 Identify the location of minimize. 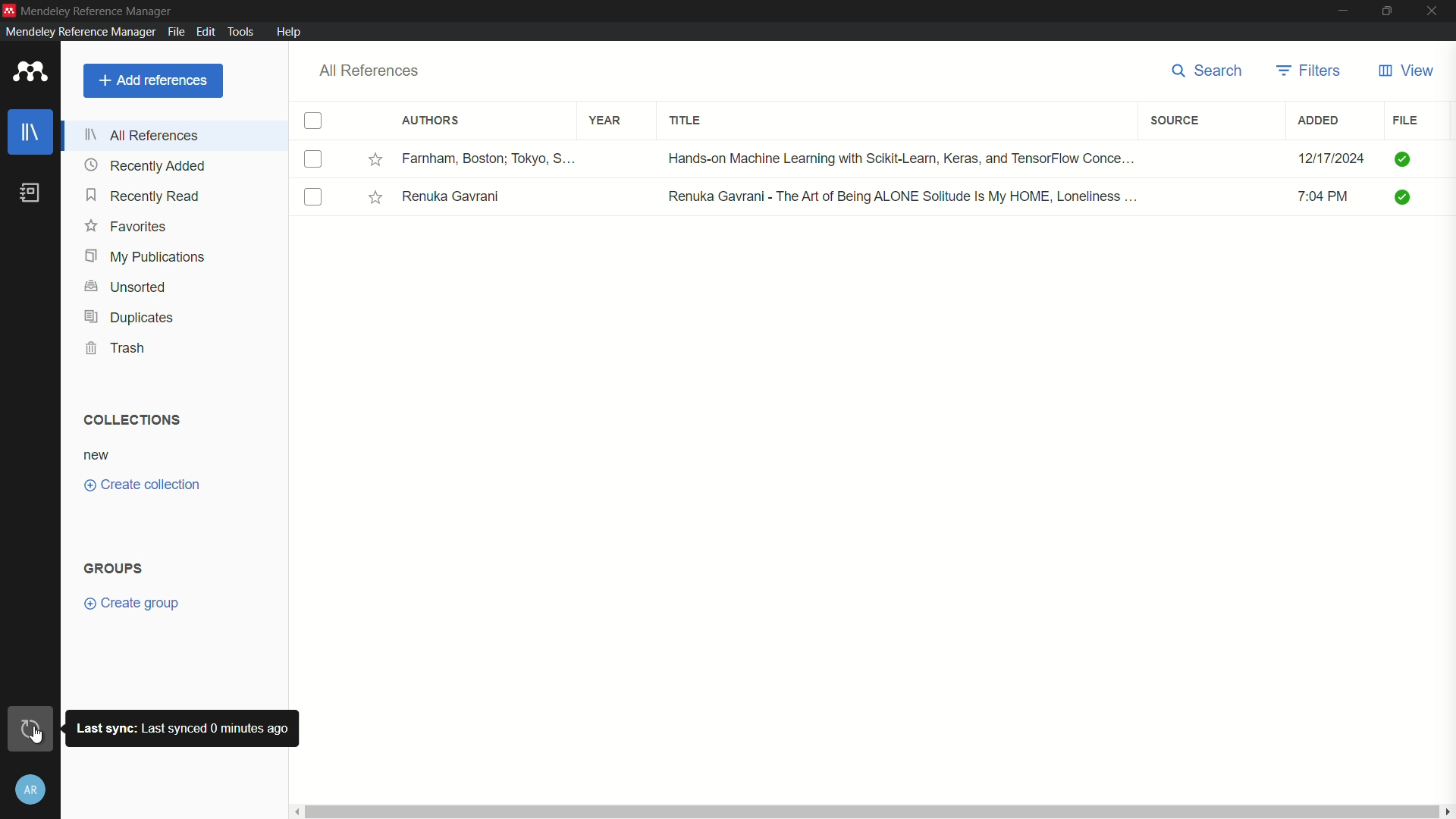
(1341, 11).